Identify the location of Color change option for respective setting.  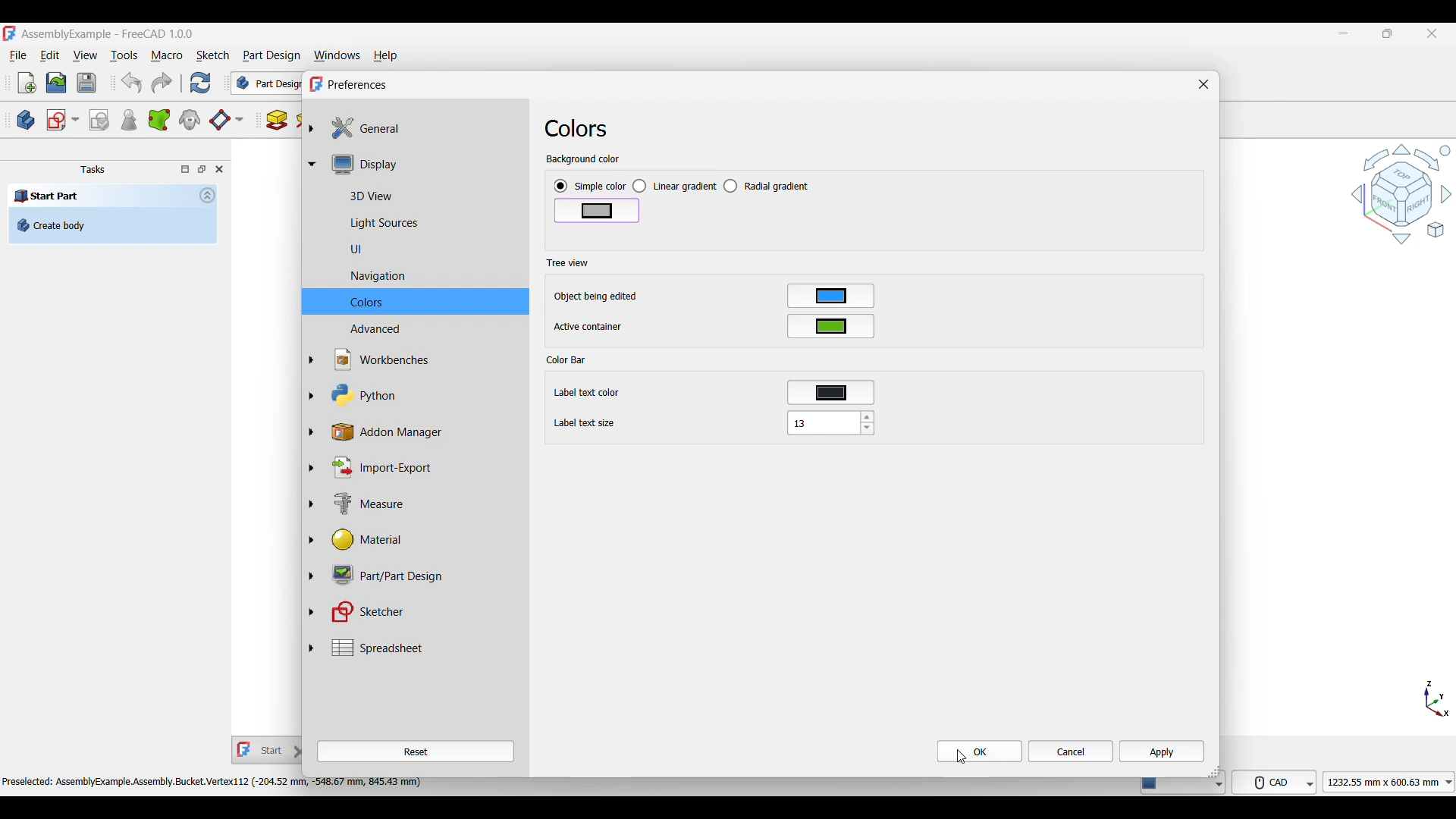
(831, 344).